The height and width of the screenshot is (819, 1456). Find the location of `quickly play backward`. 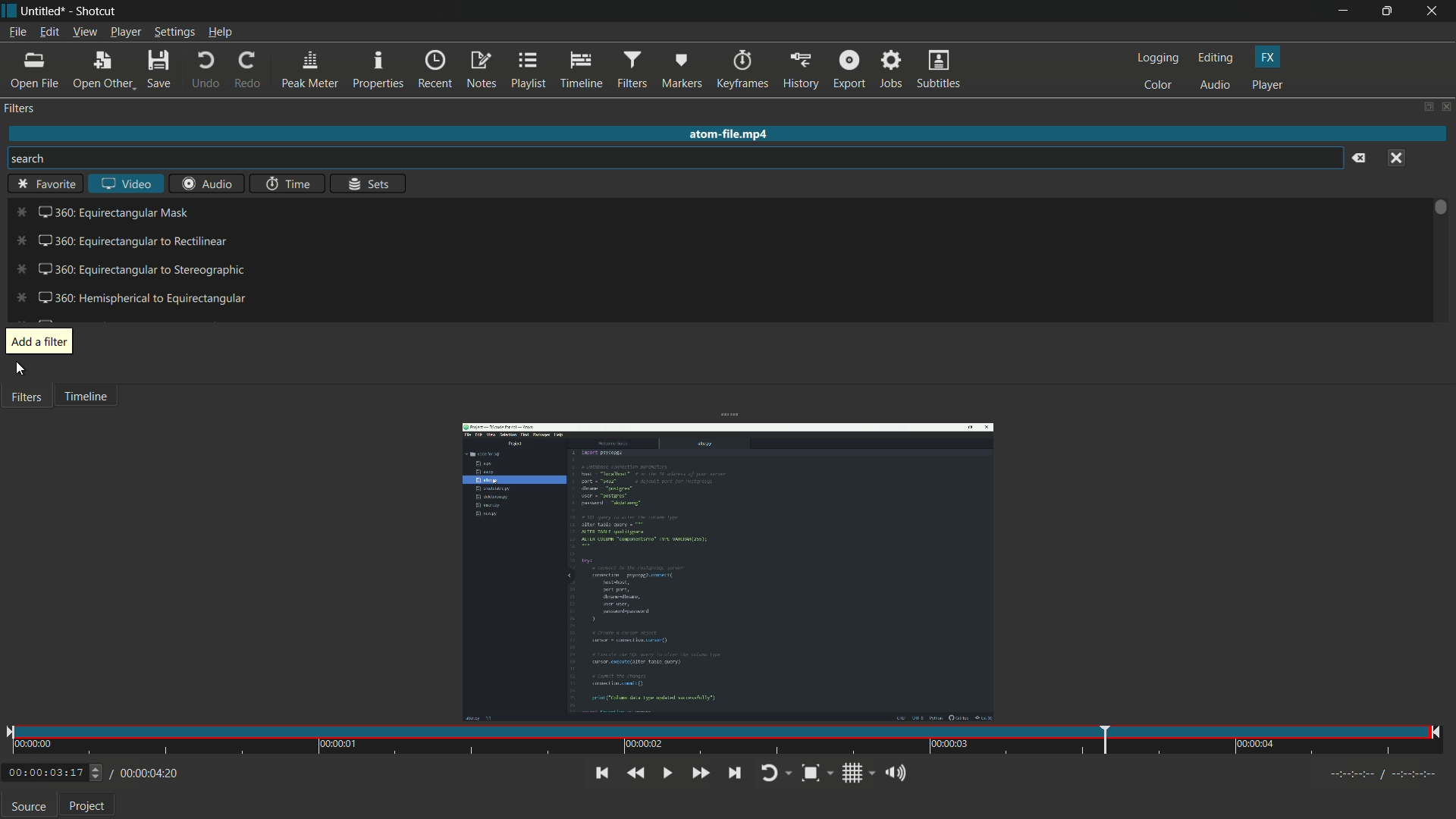

quickly play backward is located at coordinates (638, 773).